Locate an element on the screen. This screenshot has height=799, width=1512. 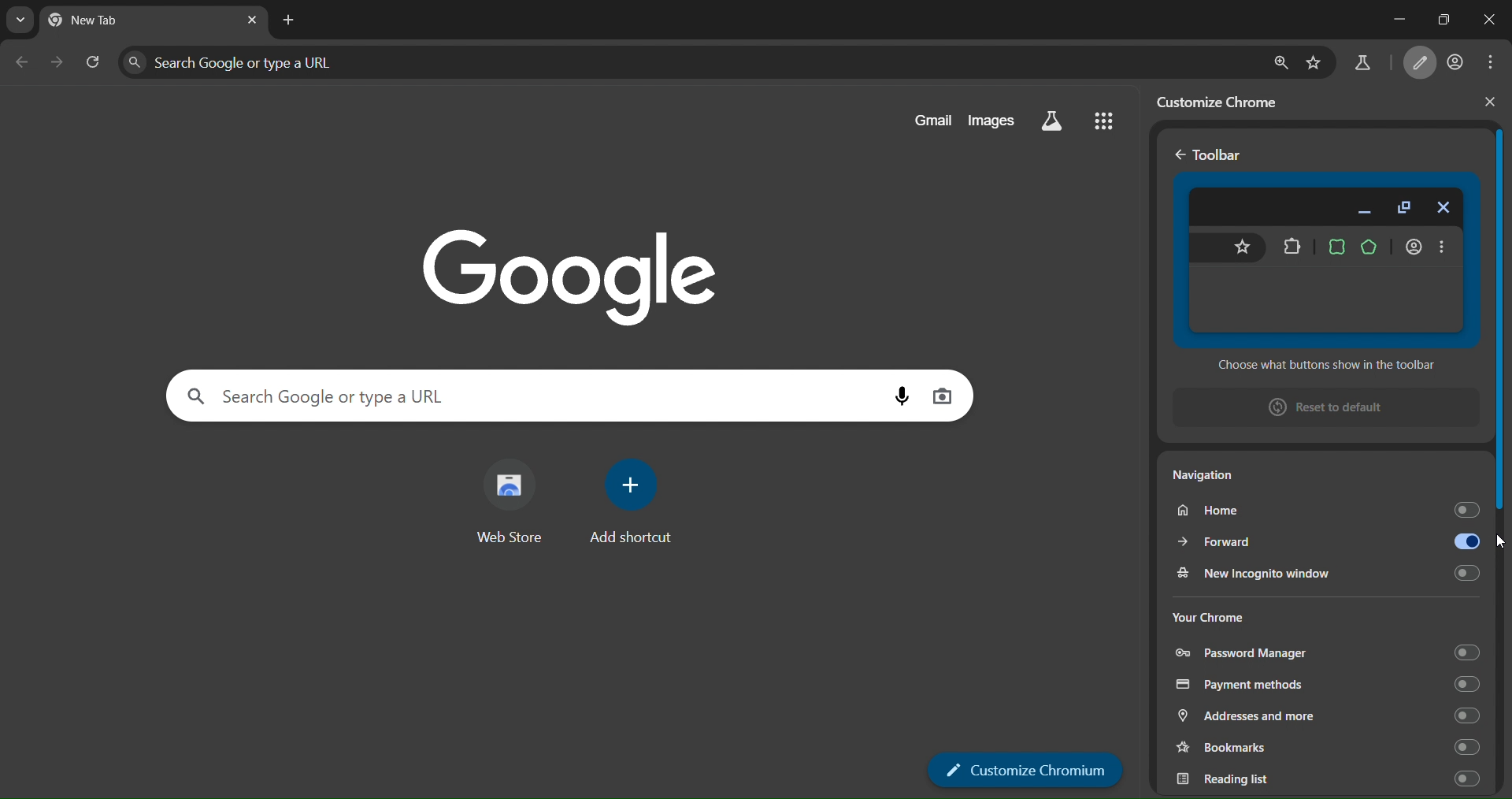
customize chrome is located at coordinates (1223, 99).